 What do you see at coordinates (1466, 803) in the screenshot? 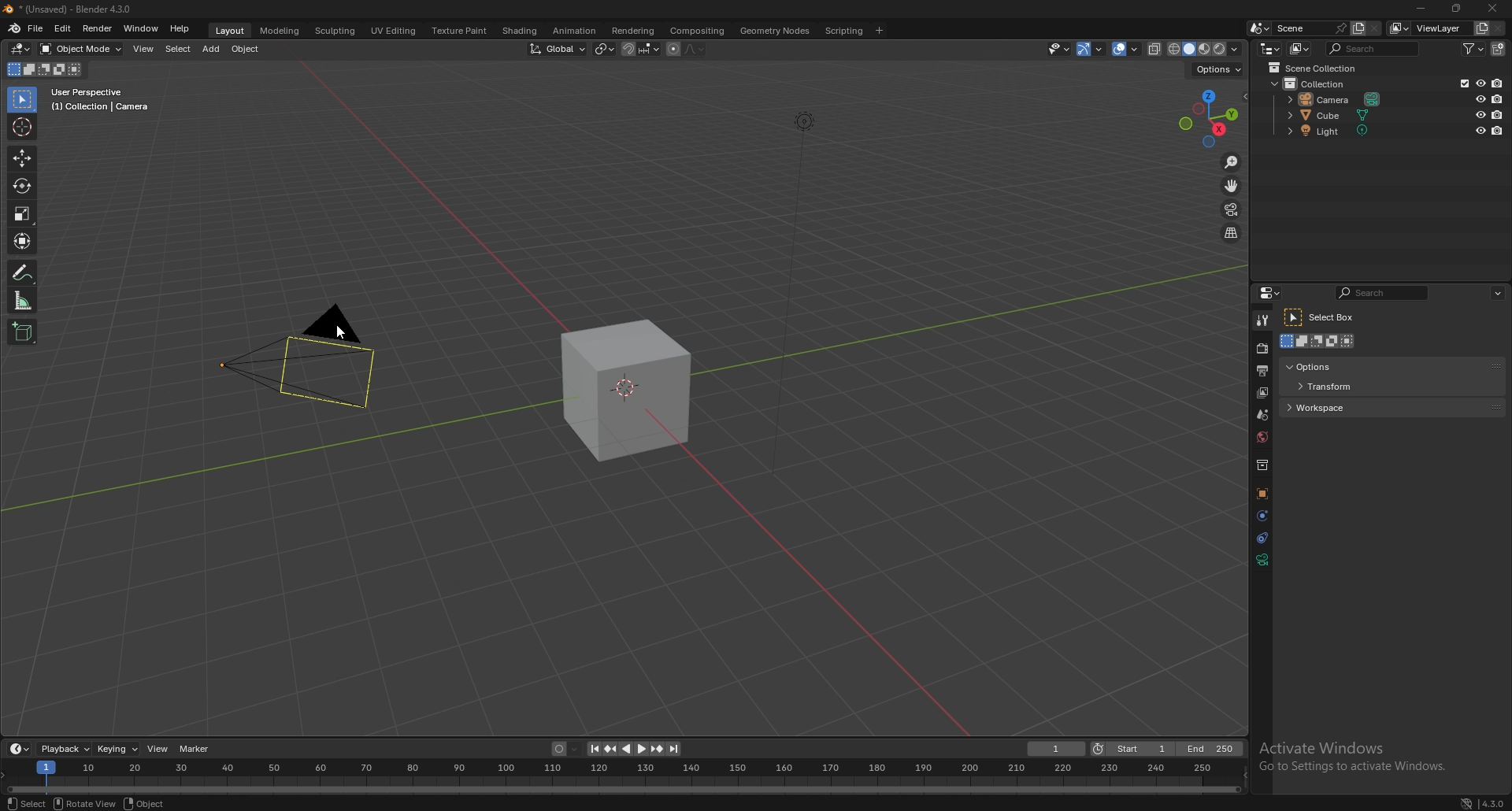
I see `network` at bounding box center [1466, 803].